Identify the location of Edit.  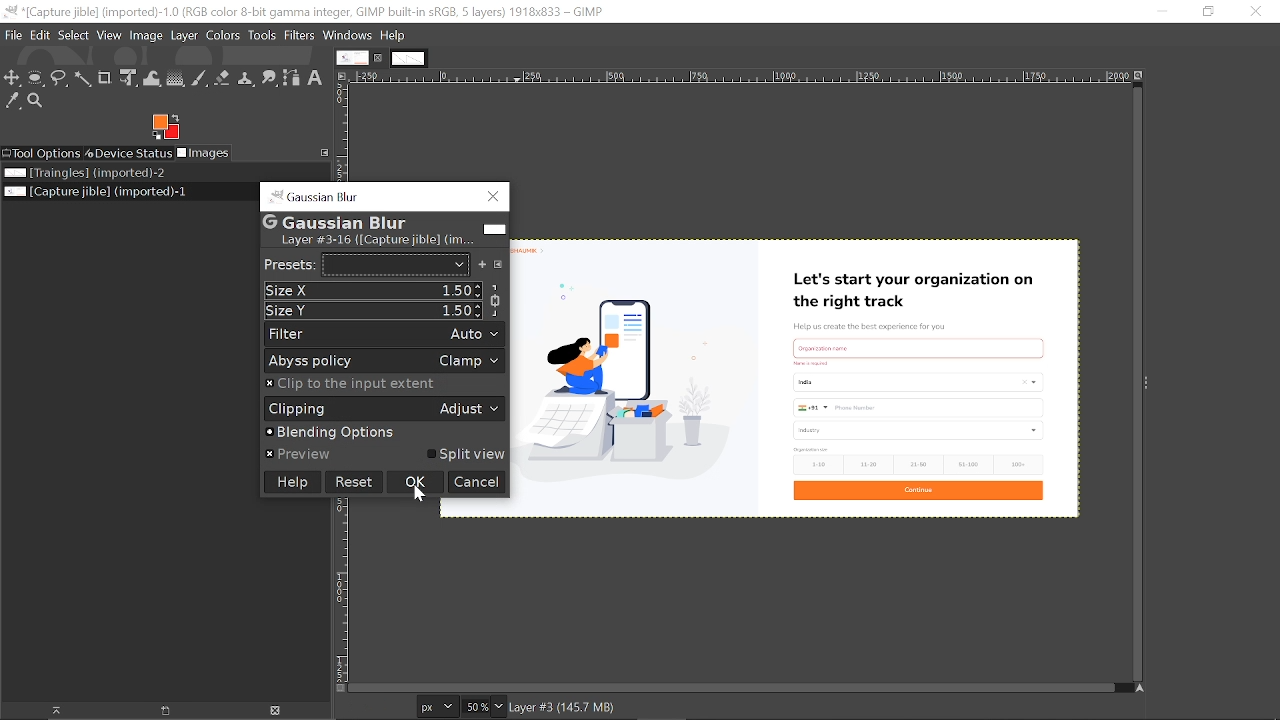
(41, 37).